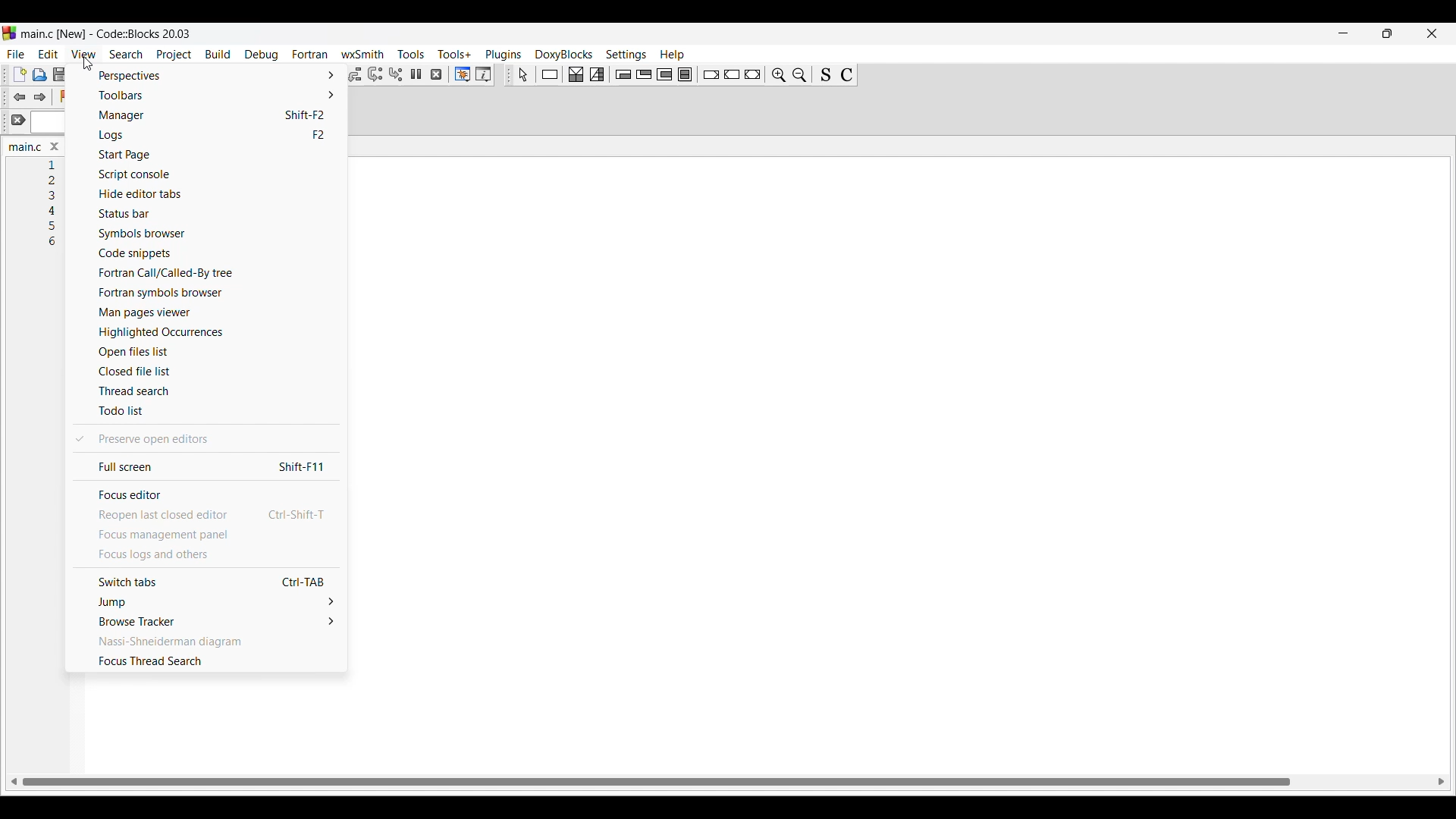 This screenshot has height=819, width=1456. Describe the element at coordinates (20, 74) in the screenshot. I see `New file` at that location.